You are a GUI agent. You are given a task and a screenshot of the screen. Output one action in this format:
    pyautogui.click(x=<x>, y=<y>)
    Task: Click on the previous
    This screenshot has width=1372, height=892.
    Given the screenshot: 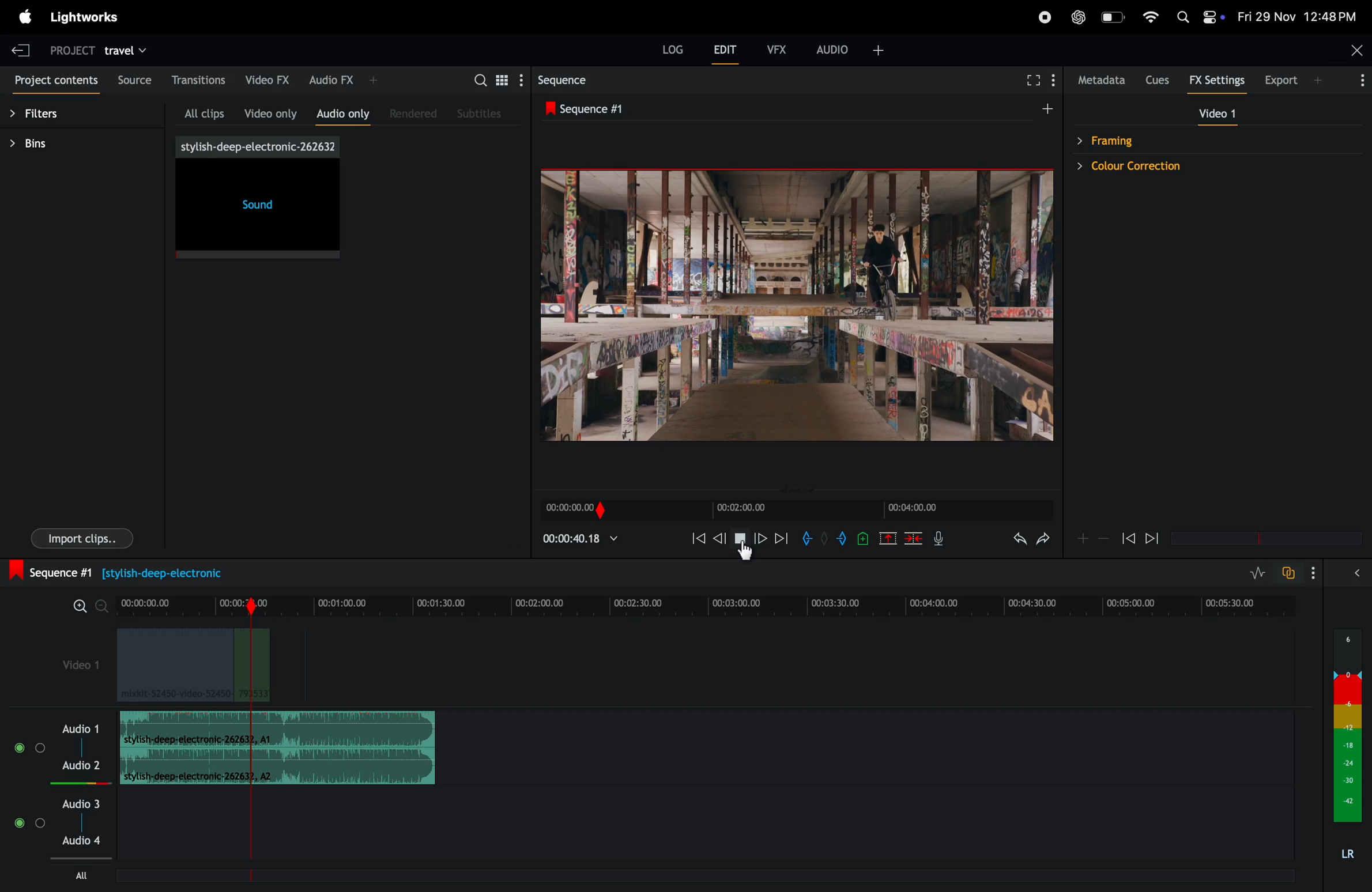 What is the action you would take?
    pyautogui.click(x=721, y=538)
    